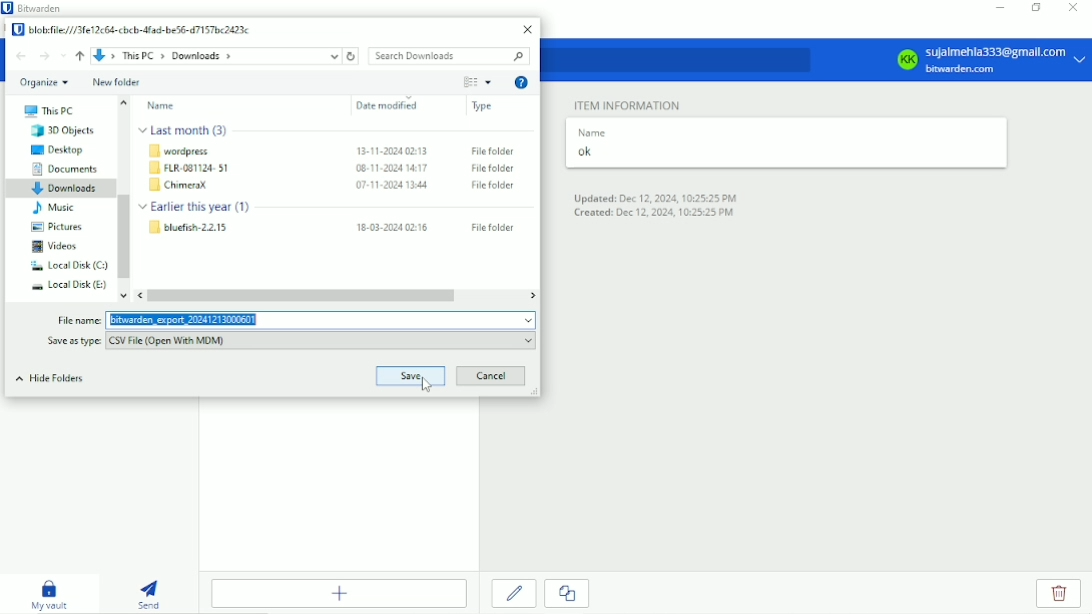 The image size is (1092, 614). Describe the element at coordinates (490, 185) in the screenshot. I see `File folder` at that location.